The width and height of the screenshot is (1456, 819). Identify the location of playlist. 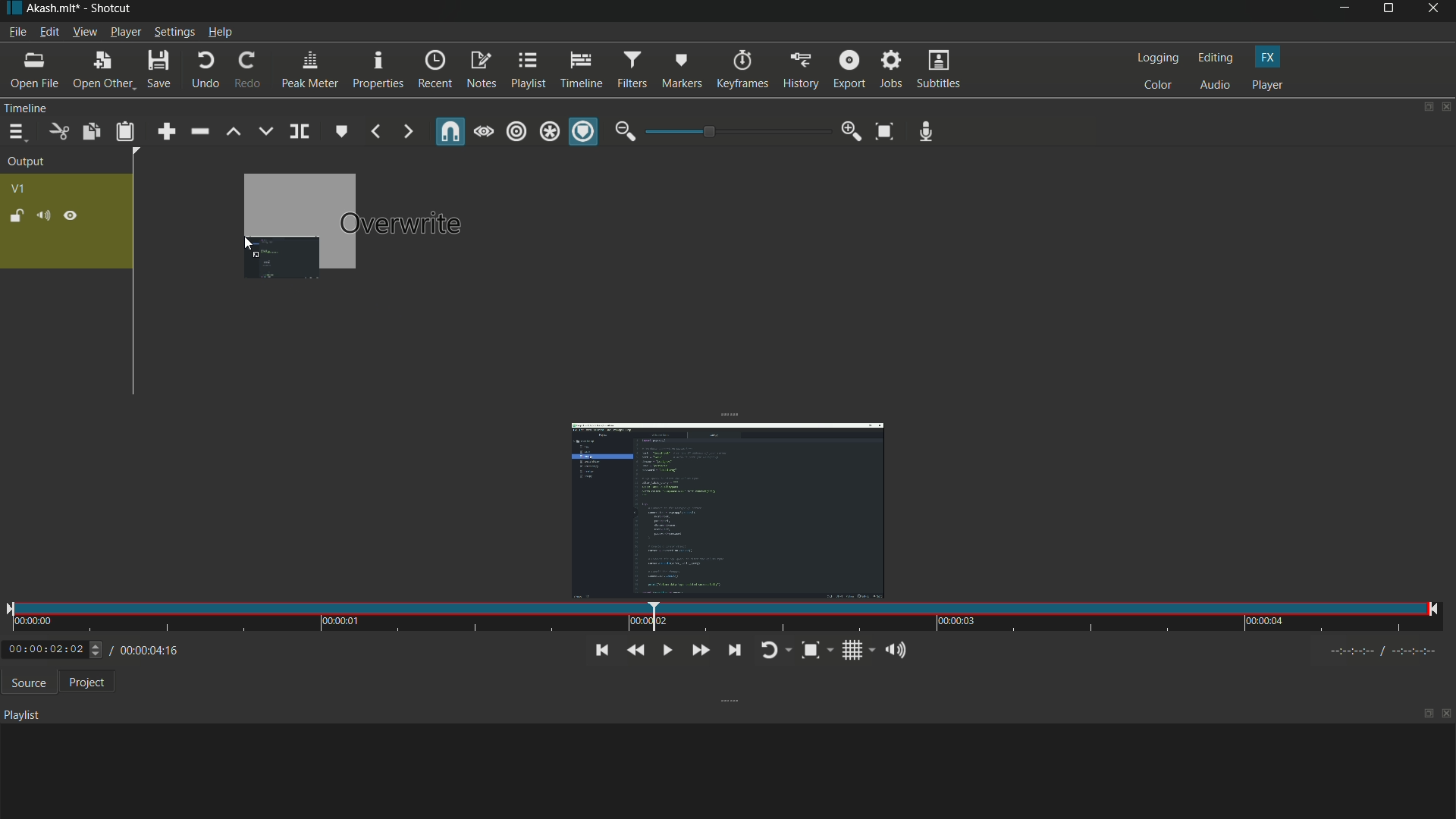
(527, 71).